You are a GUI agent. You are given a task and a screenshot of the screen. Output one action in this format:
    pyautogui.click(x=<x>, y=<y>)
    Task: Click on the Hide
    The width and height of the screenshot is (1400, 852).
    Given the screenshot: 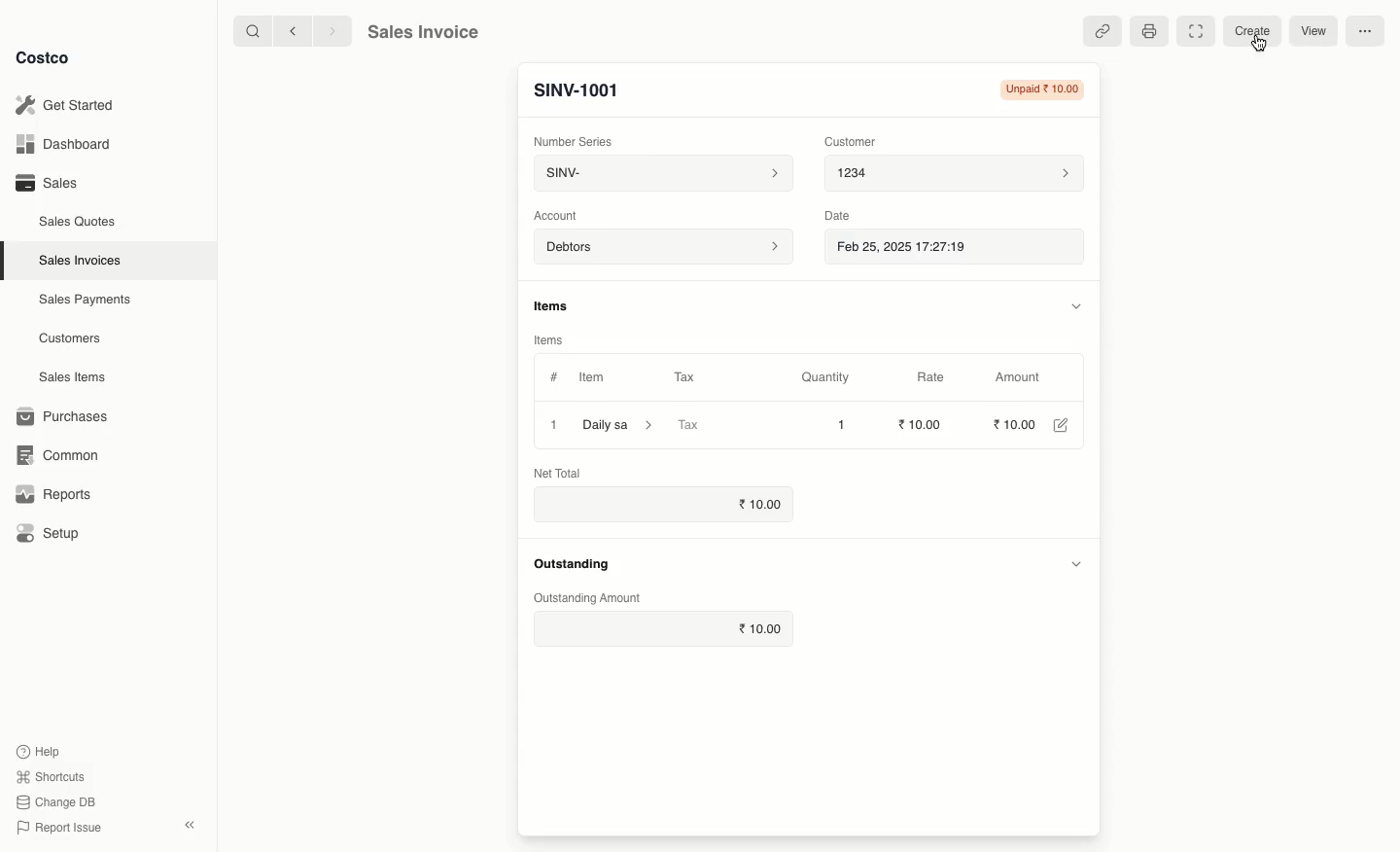 What is the action you would take?
    pyautogui.click(x=1074, y=305)
    